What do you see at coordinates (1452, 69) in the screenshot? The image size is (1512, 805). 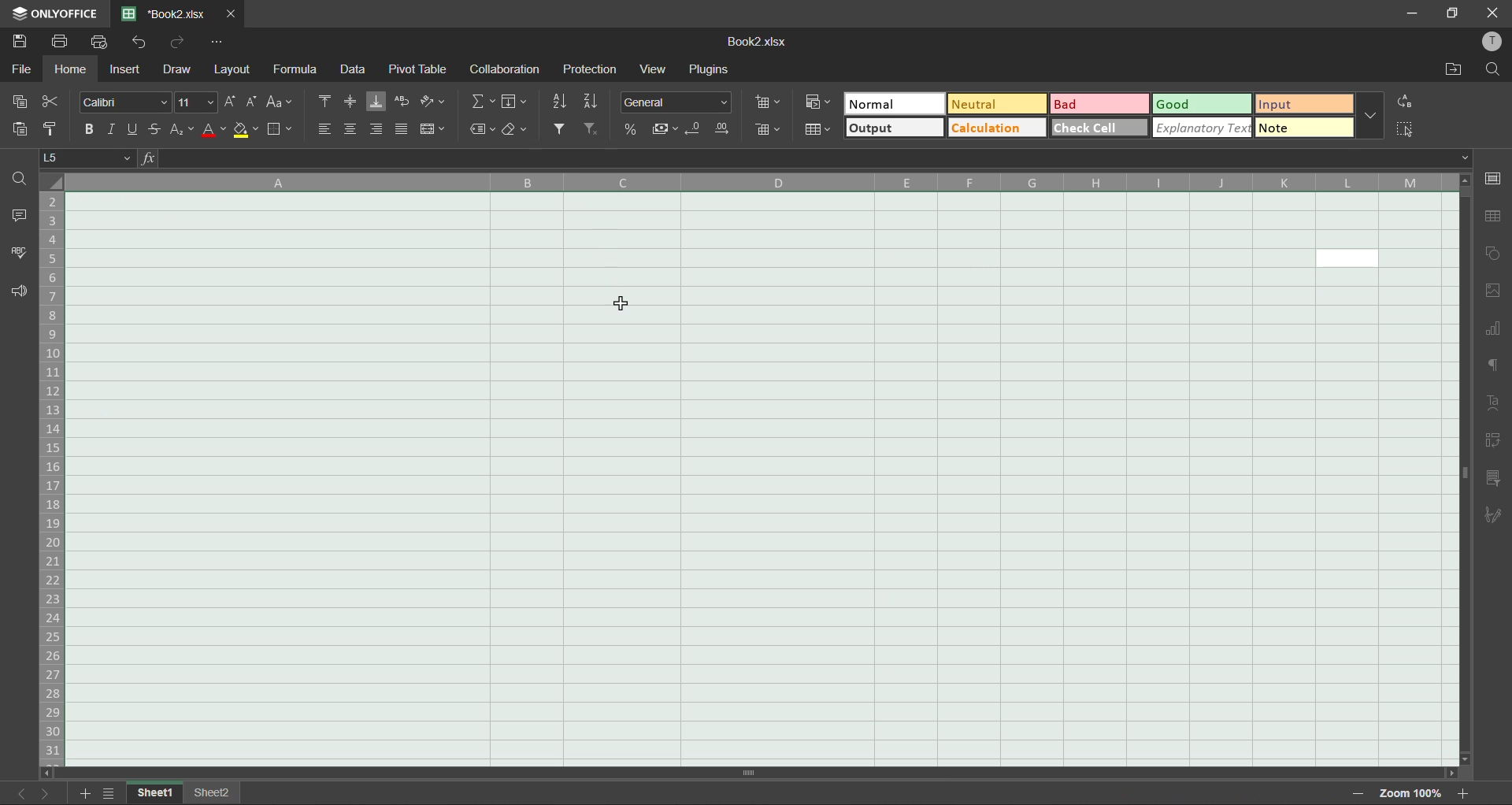 I see `open location` at bounding box center [1452, 69].